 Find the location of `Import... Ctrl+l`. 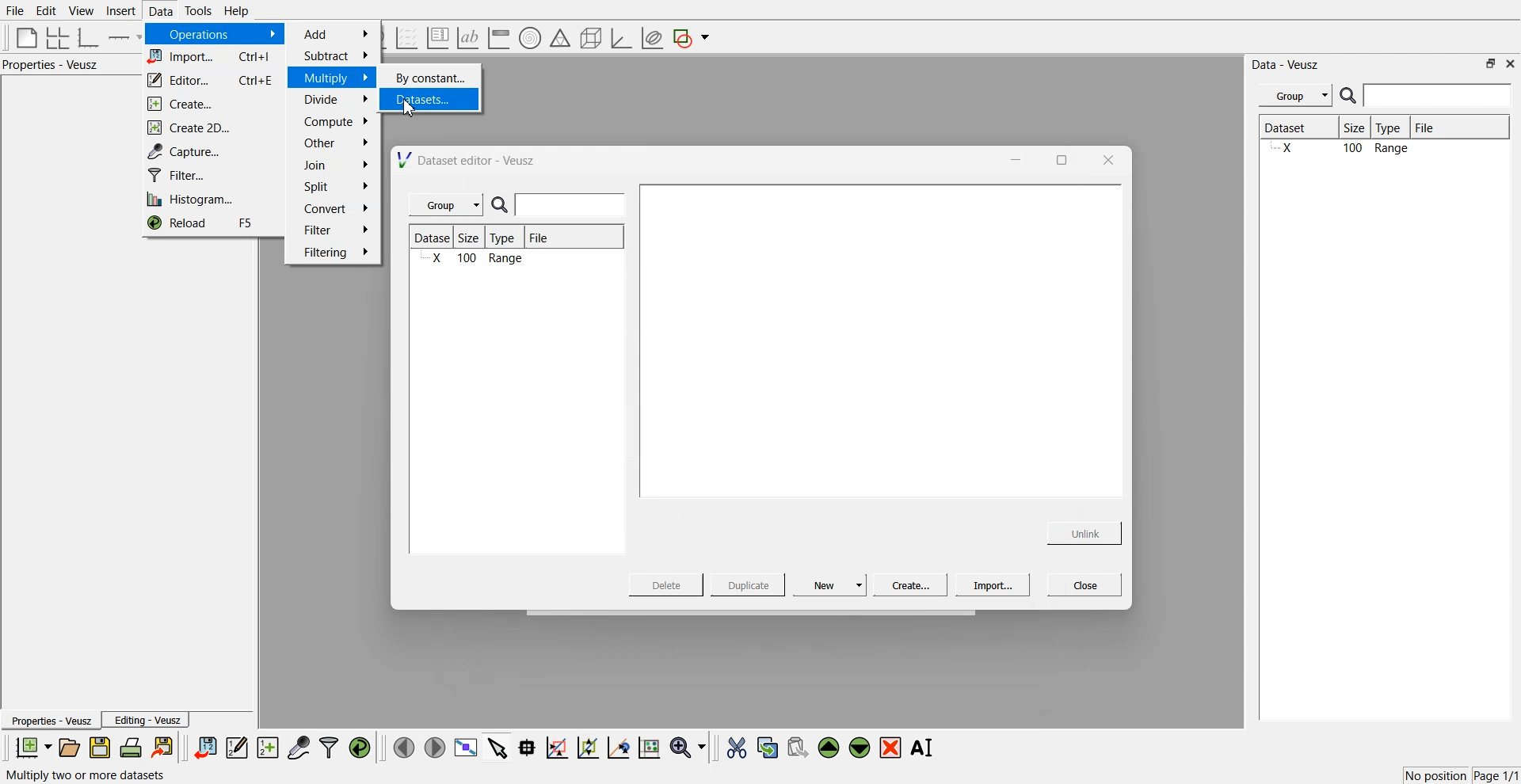

Import... Ctrl+l is located at coordinates (212, 58).